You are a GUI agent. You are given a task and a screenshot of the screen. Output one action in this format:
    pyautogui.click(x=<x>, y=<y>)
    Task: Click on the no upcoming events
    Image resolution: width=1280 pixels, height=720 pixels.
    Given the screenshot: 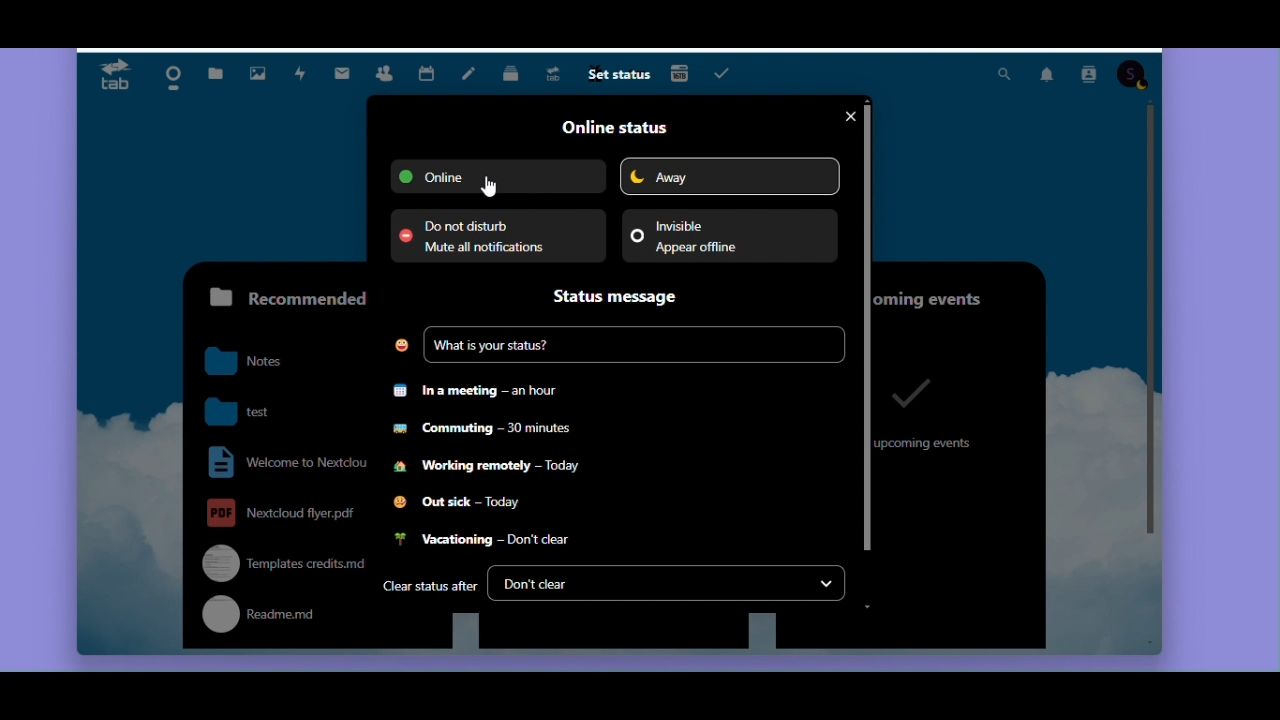 What is the action you would take?
    pyautogui.click(x=928, y=411)
    